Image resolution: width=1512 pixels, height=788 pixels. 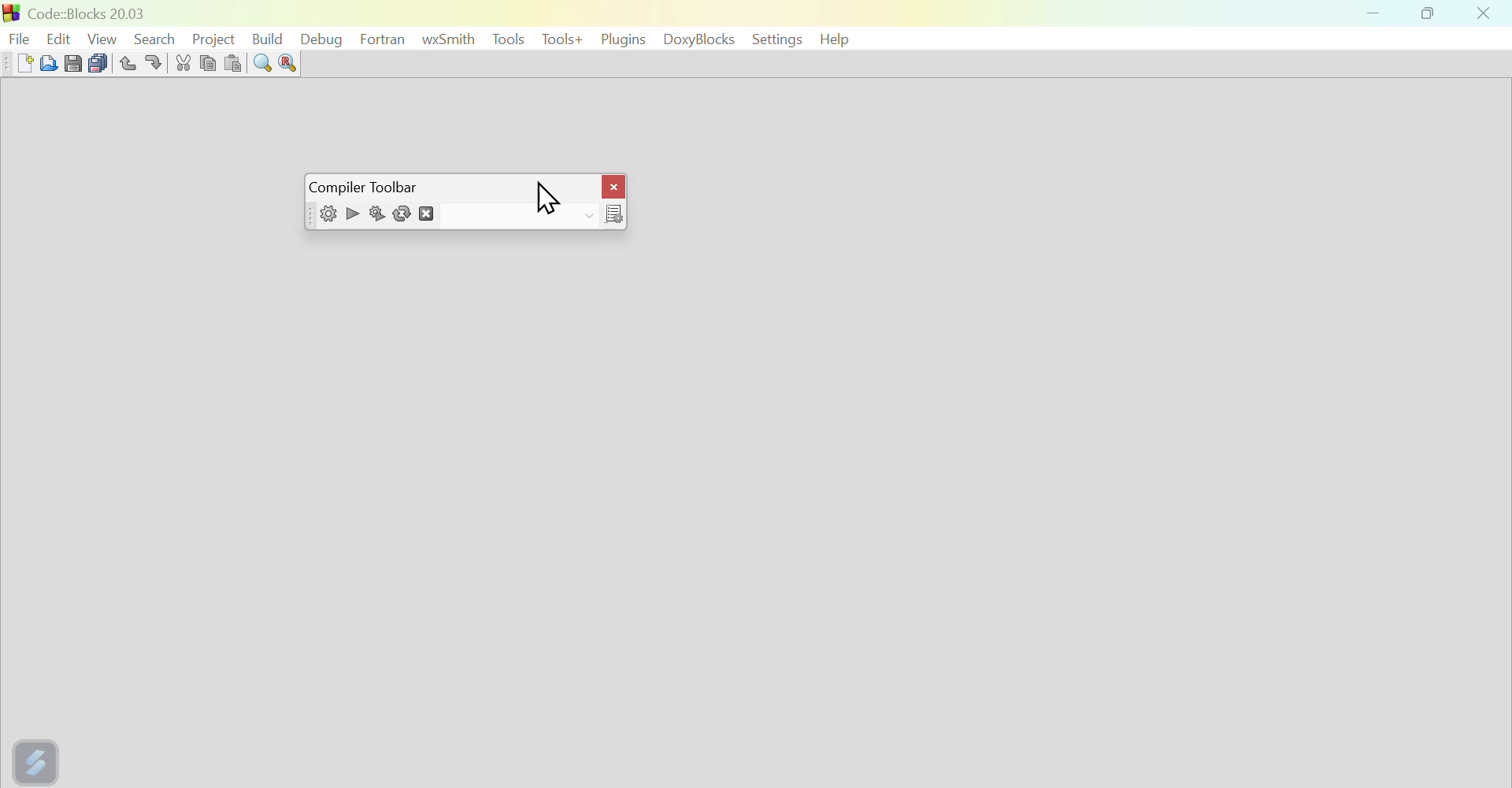 What do you see at coordinates (184, 62) in the screenshot?
I see `` at bounding box center [184, 62].